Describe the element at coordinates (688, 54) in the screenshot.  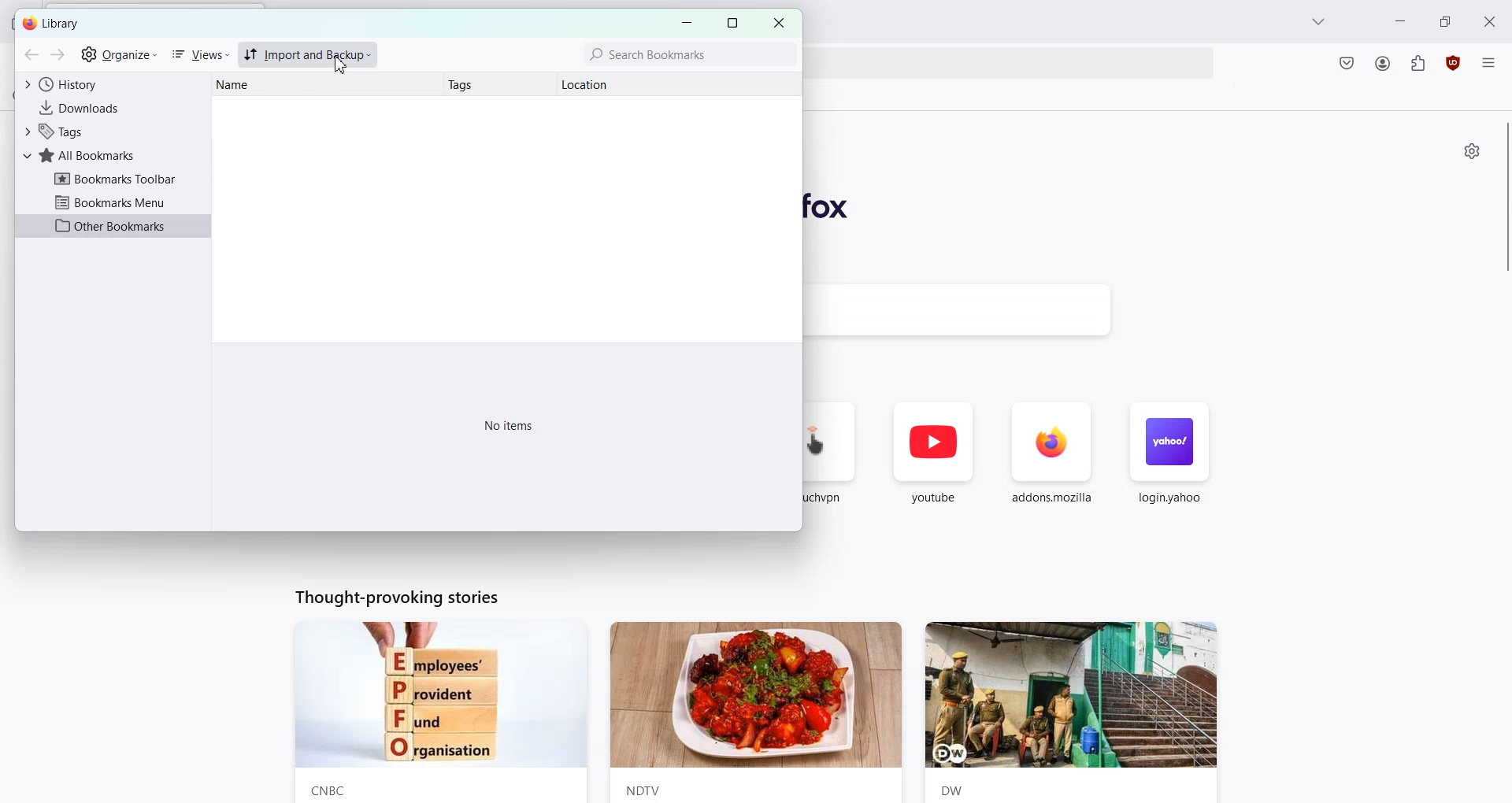
I see `Search Bookmarks` at that location.